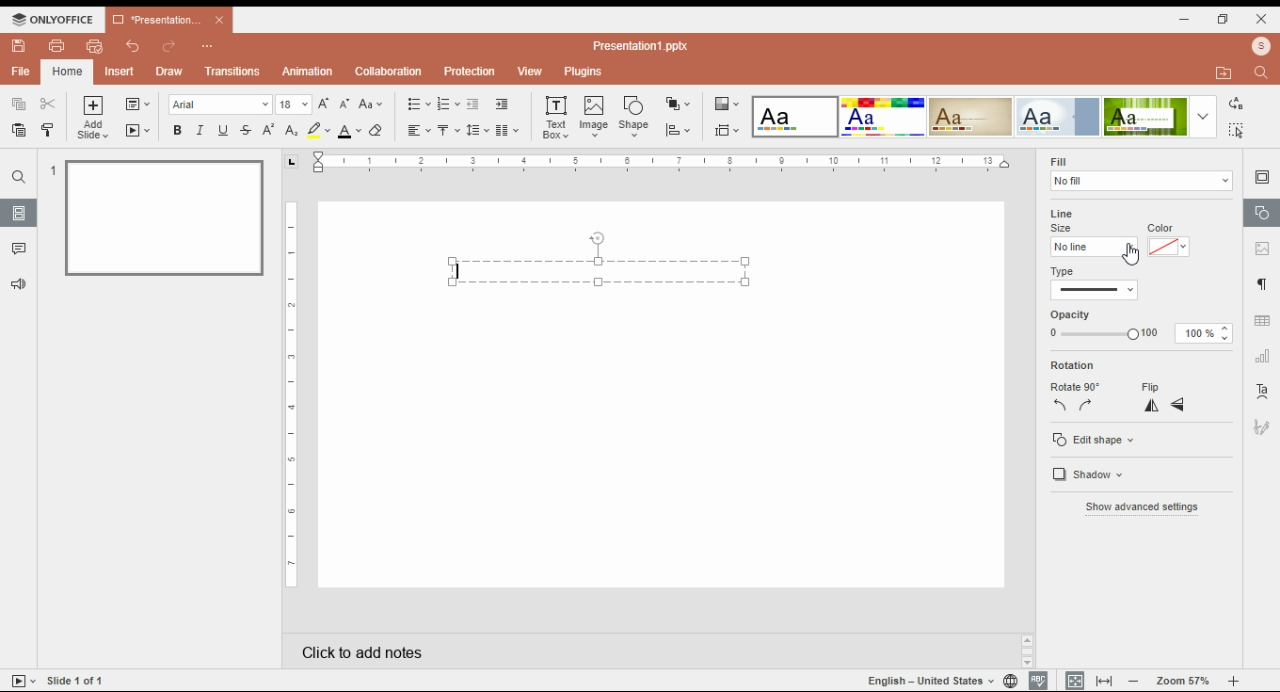  I want to click on Presentation1.pptx, so click(640, 46).